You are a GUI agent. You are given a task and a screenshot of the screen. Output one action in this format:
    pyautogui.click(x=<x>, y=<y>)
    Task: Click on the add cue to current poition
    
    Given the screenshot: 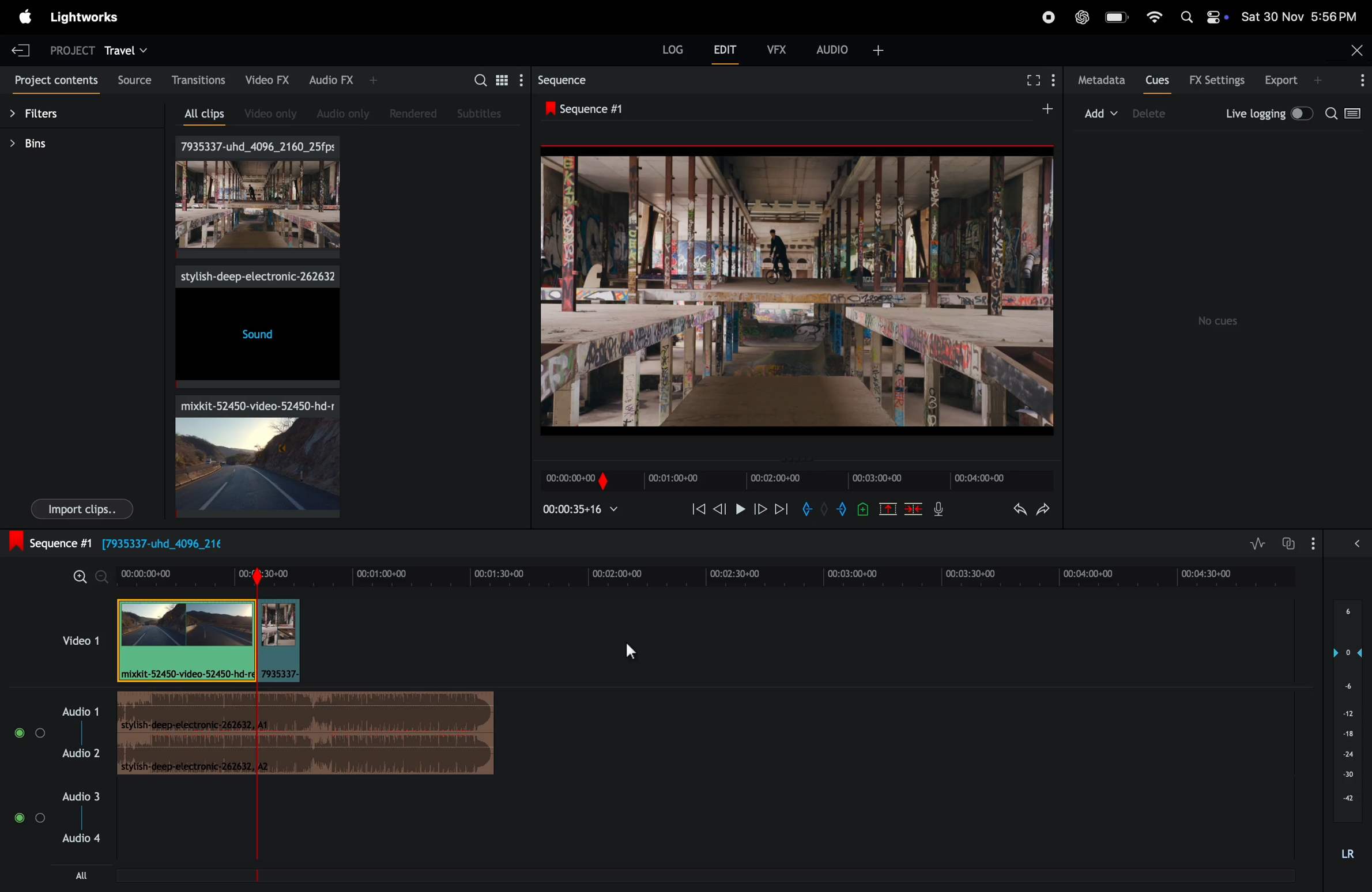 What is the action you would take?
    pyautogui.click(x=863, y=509)
    